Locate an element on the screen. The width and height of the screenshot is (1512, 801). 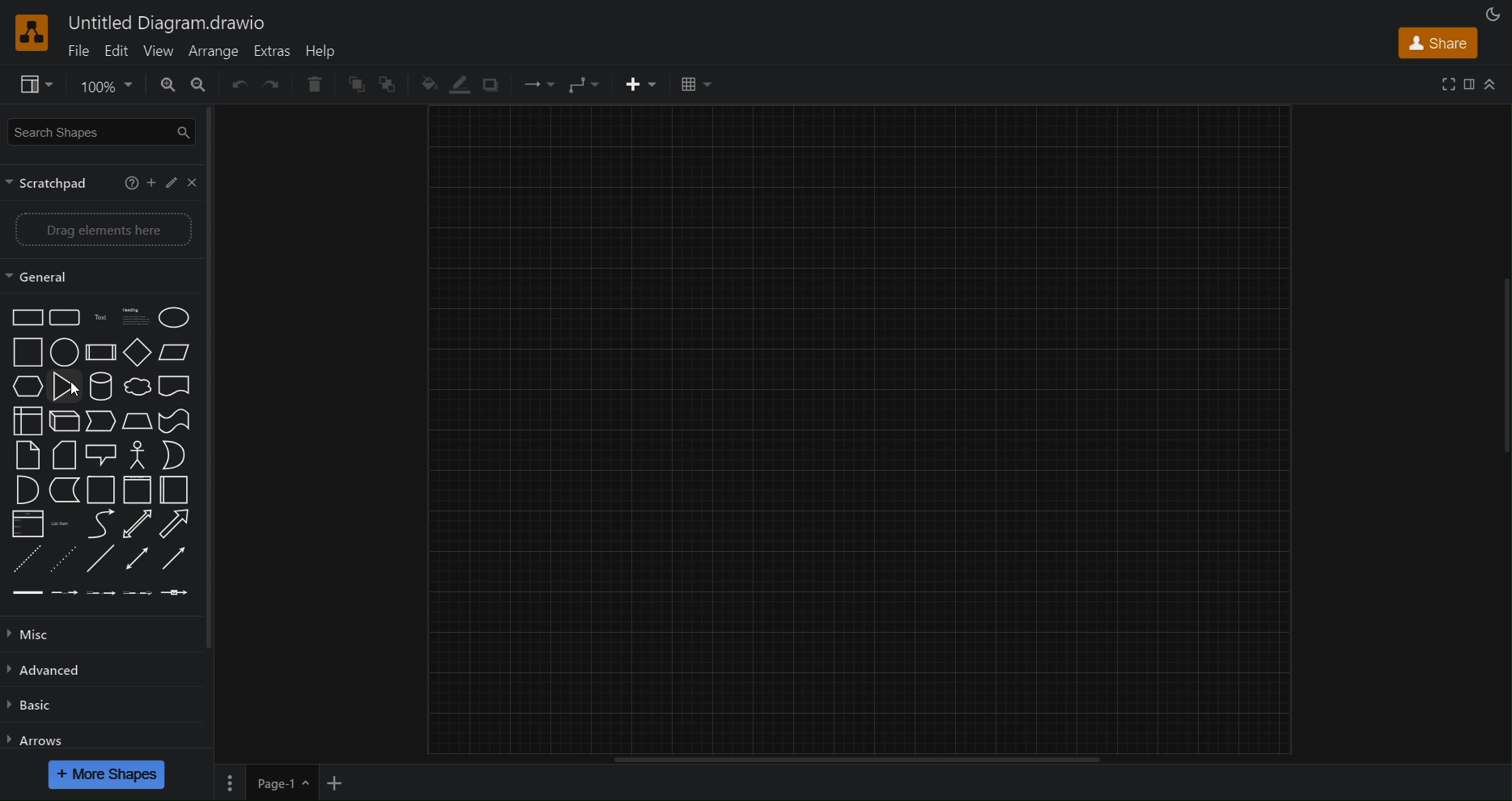
Misc is located at coordinates (40, 637).